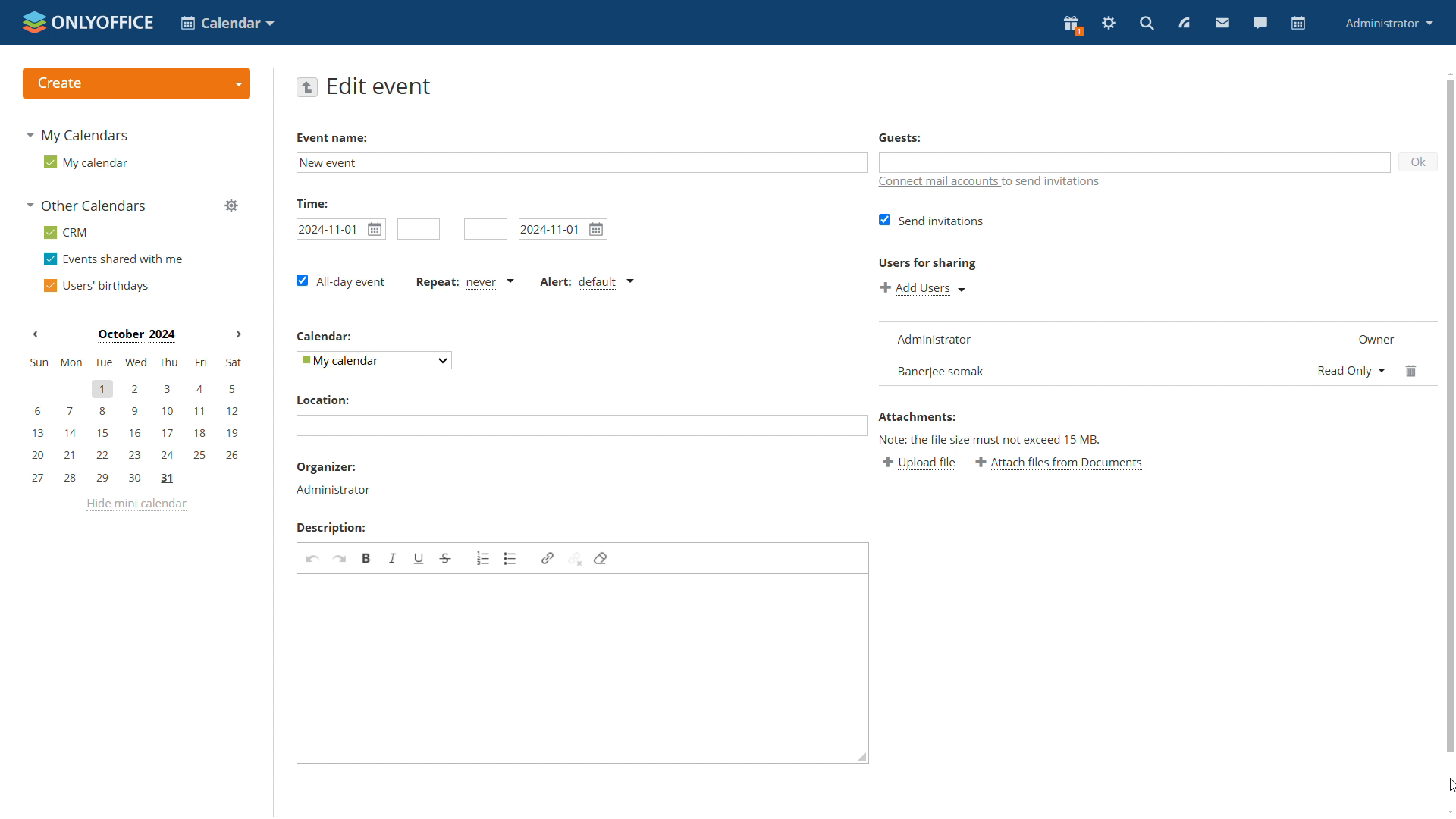 The width and height of the screenshot is (1456, 819). What do you see at coordinates (136, 83) in the screenshot?
I see `create` at bounding box center [136, 83].